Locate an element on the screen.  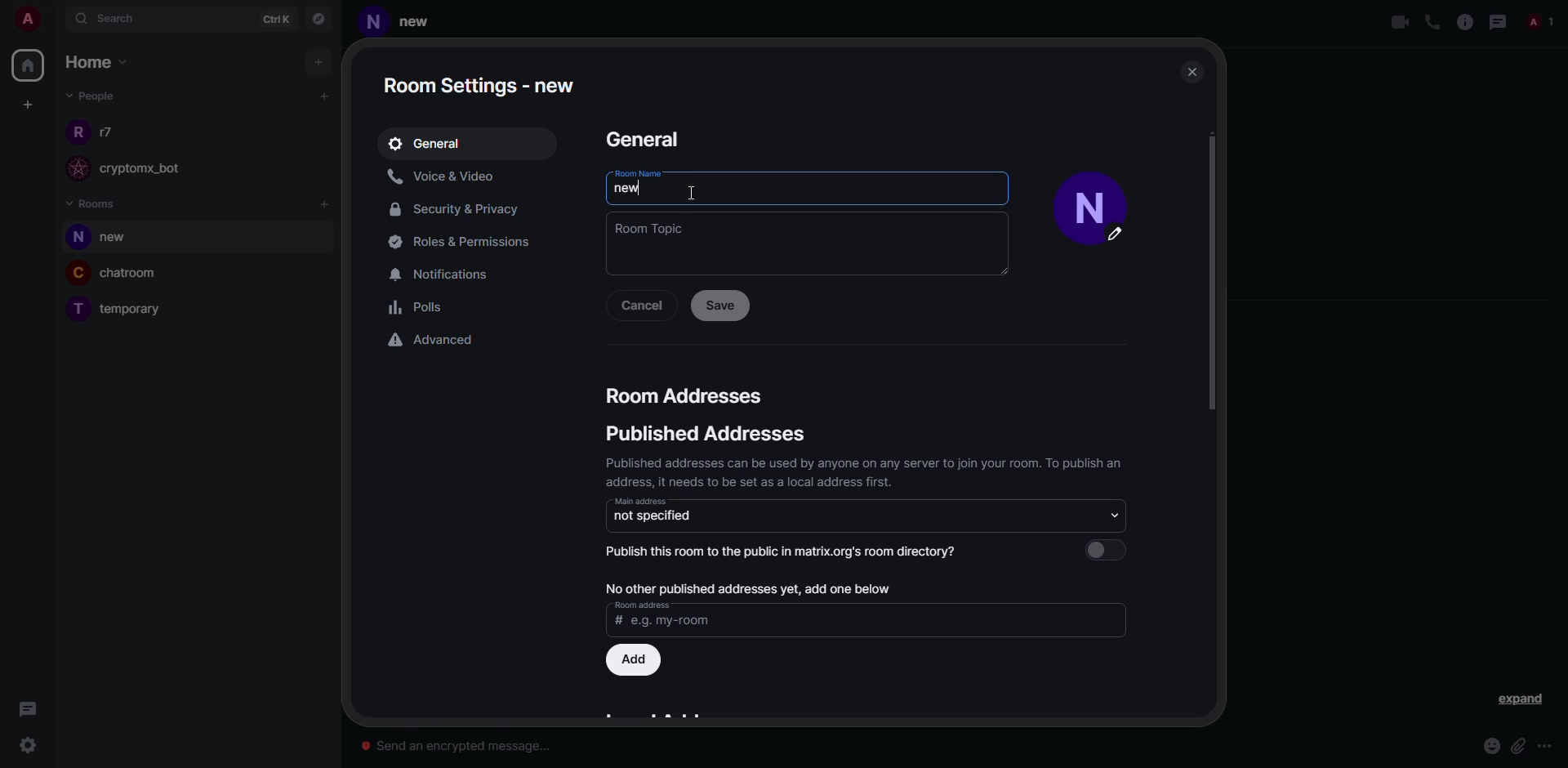
attach is located at coordinates (1518, 746).